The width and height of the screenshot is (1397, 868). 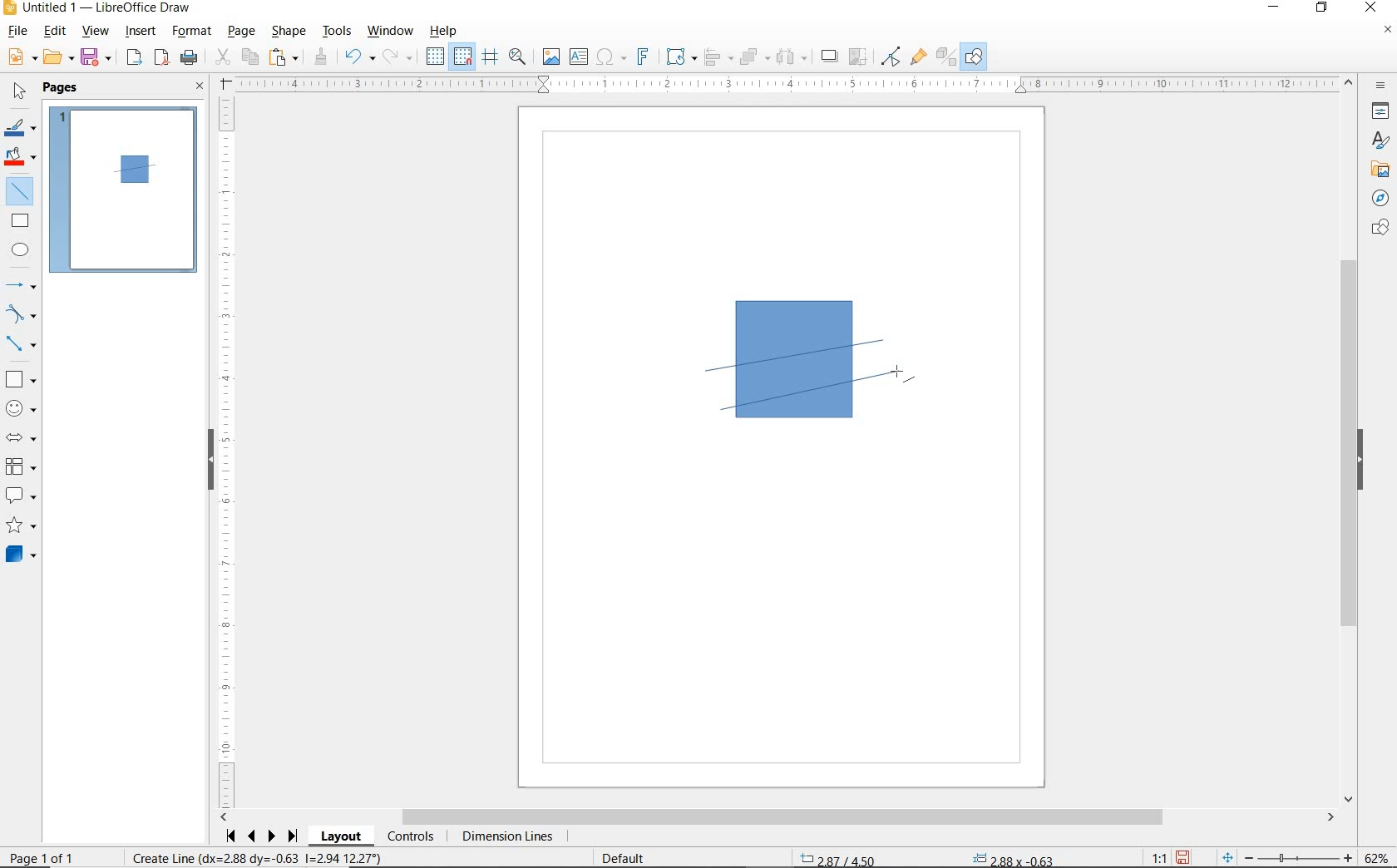 I want to click on SCROLLBAR, so click(x=1351, y=440).